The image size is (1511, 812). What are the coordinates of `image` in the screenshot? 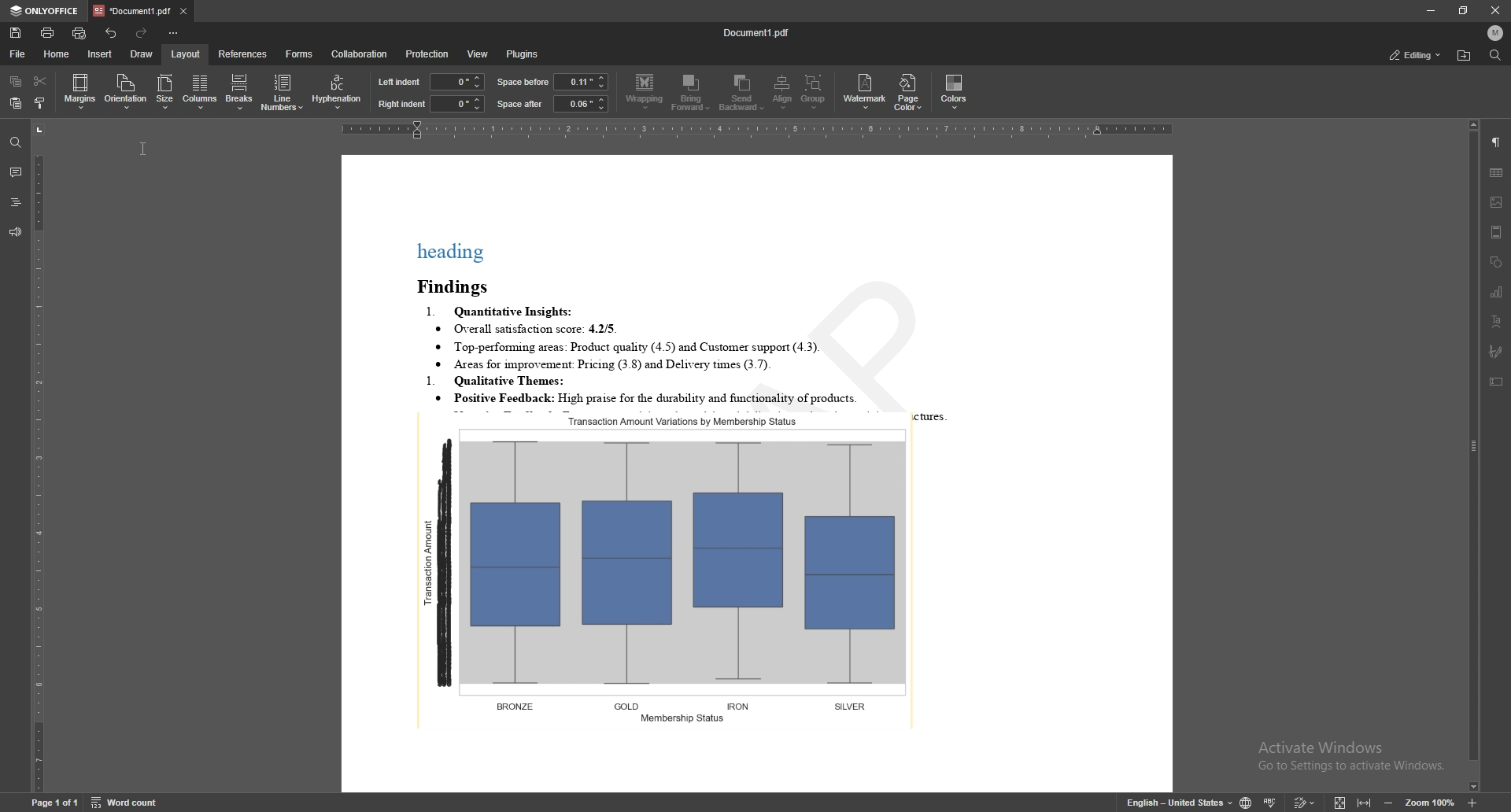 It's located at (1498, 202).